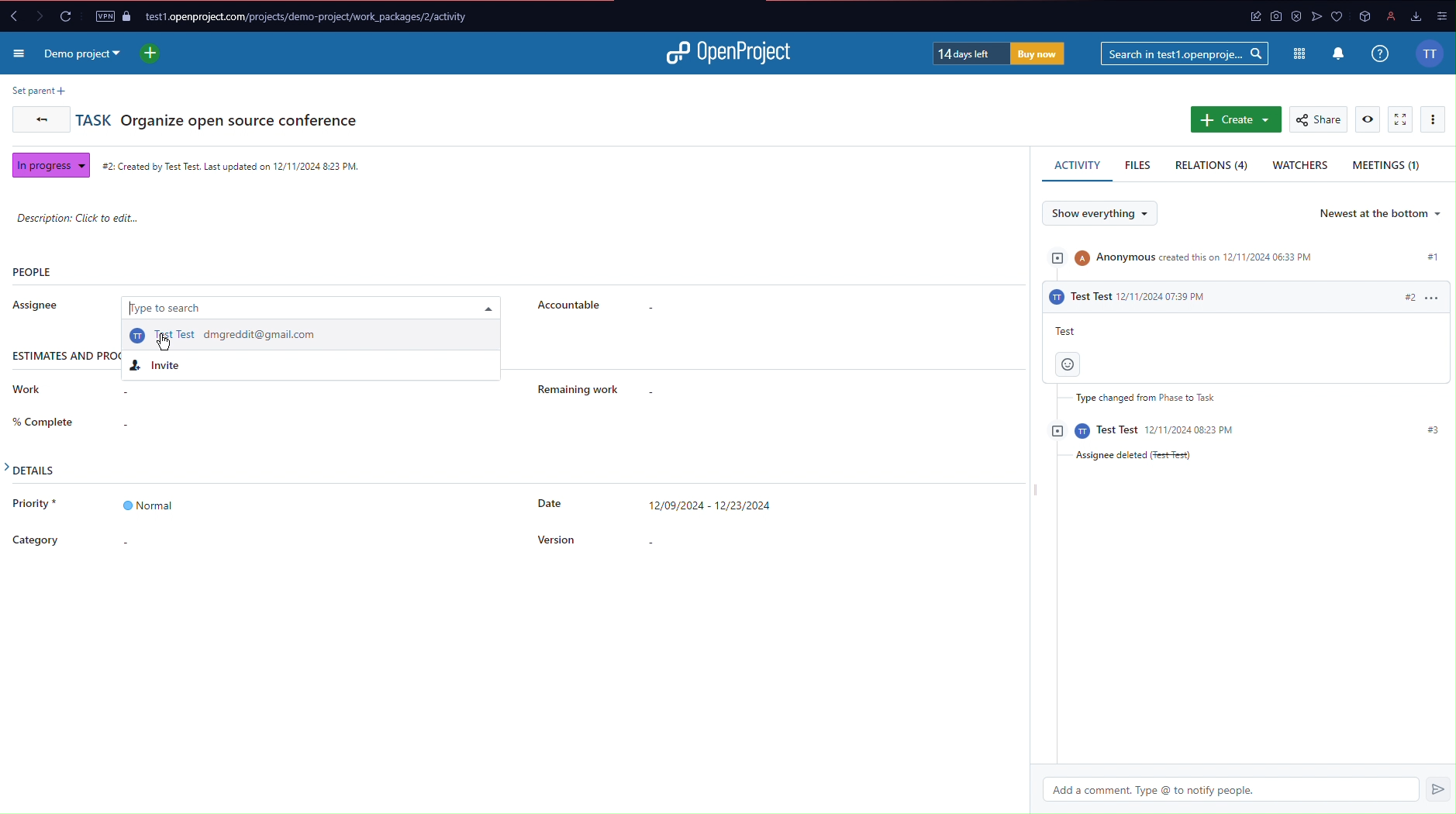  I want to click on VPN and Page Security, so click(112, 16).